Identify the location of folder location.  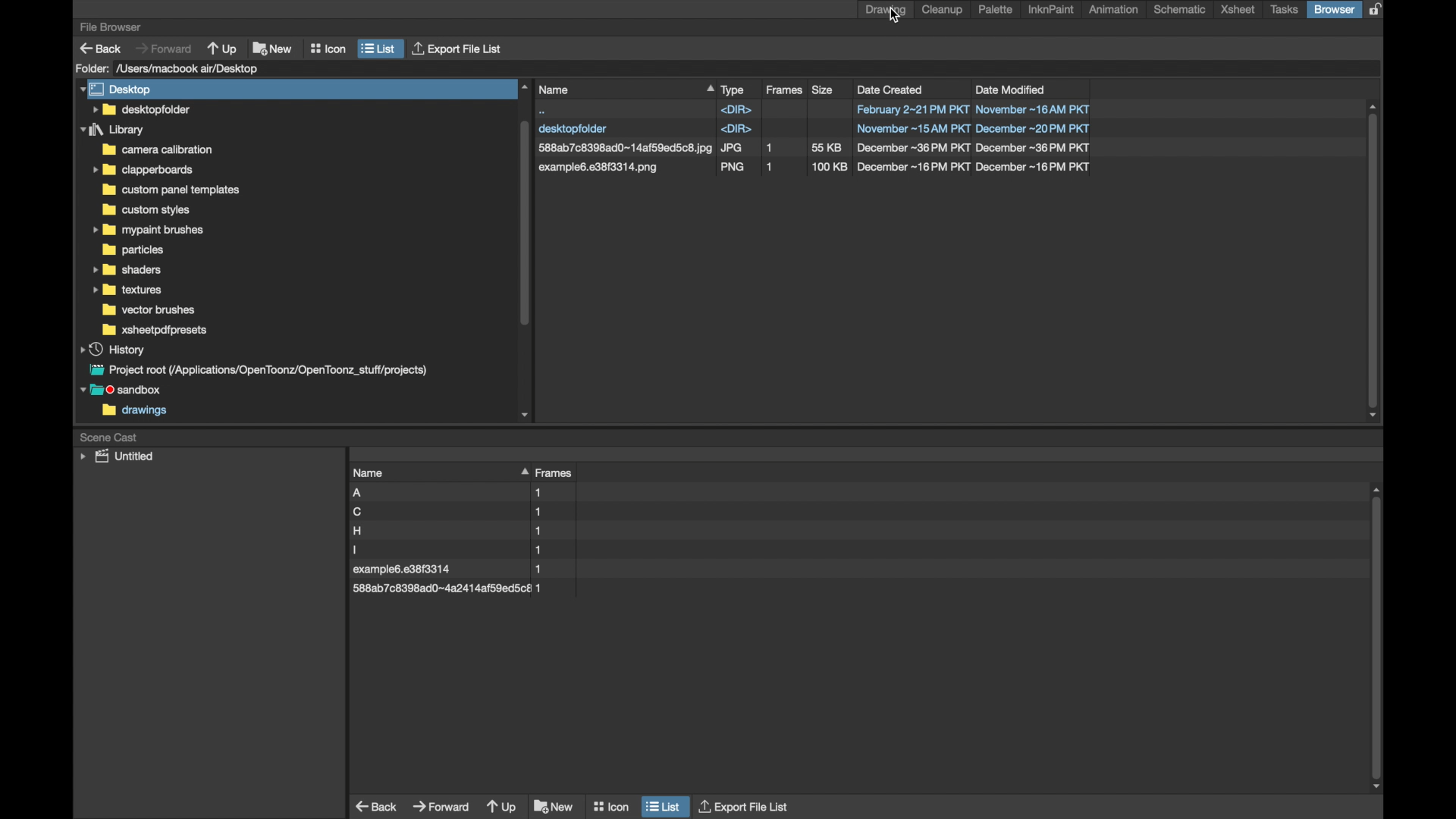
(190, 68).